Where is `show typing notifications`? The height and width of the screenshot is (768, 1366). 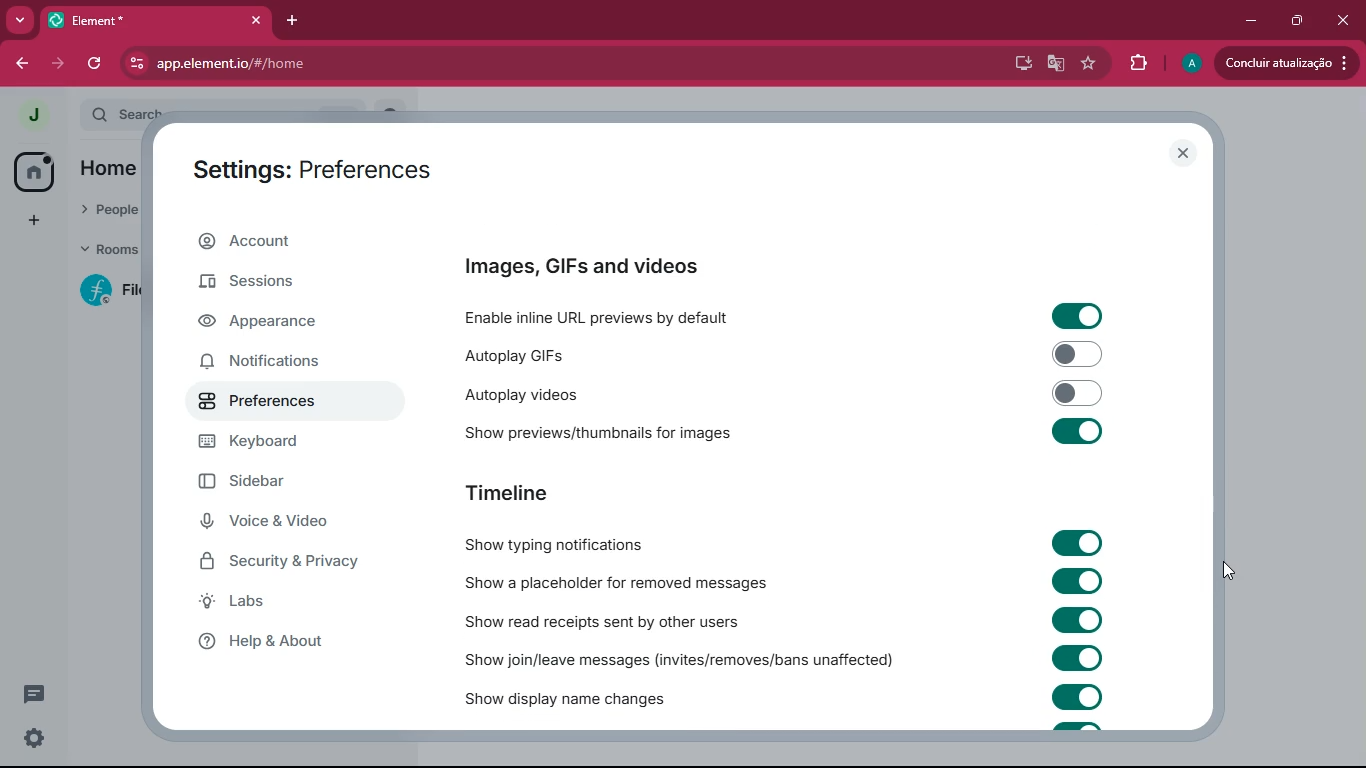 show typing notifications is located at coordinates (552, 541).